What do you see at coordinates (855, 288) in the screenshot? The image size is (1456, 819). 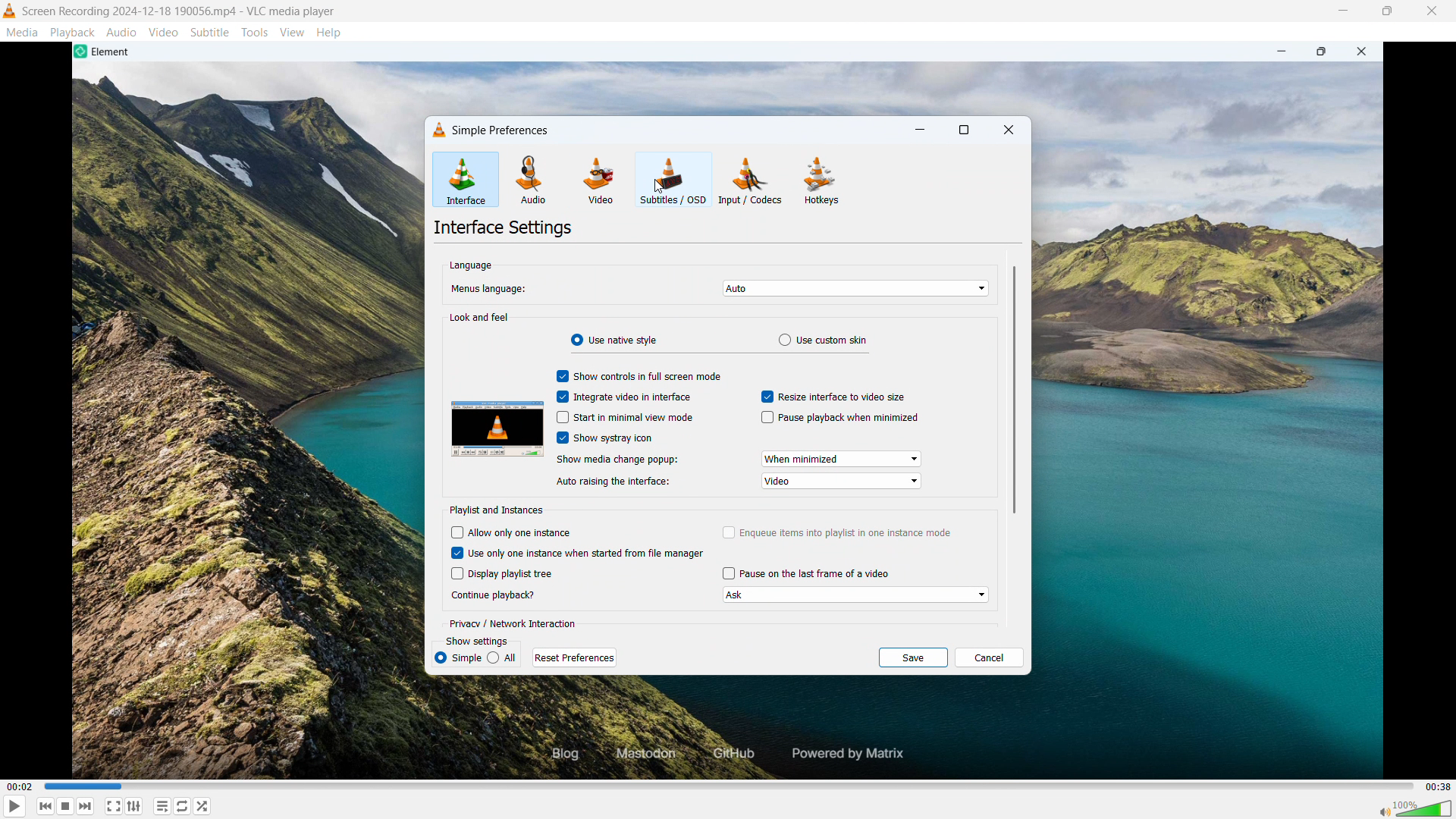 I see `Select menu language ` at bounding box center [855, 288].